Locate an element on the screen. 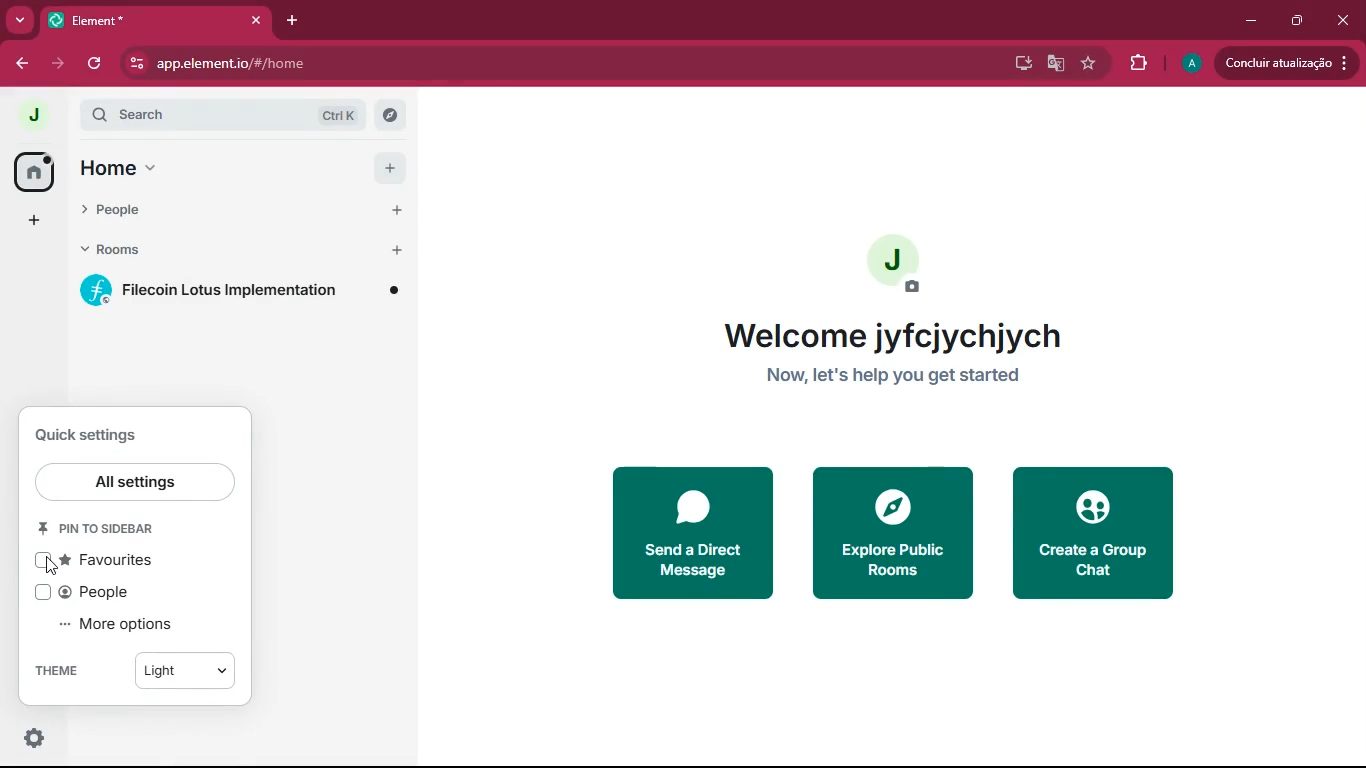 This screenshot has width=1366, height=768. close is located at coordinates (1341, 21).